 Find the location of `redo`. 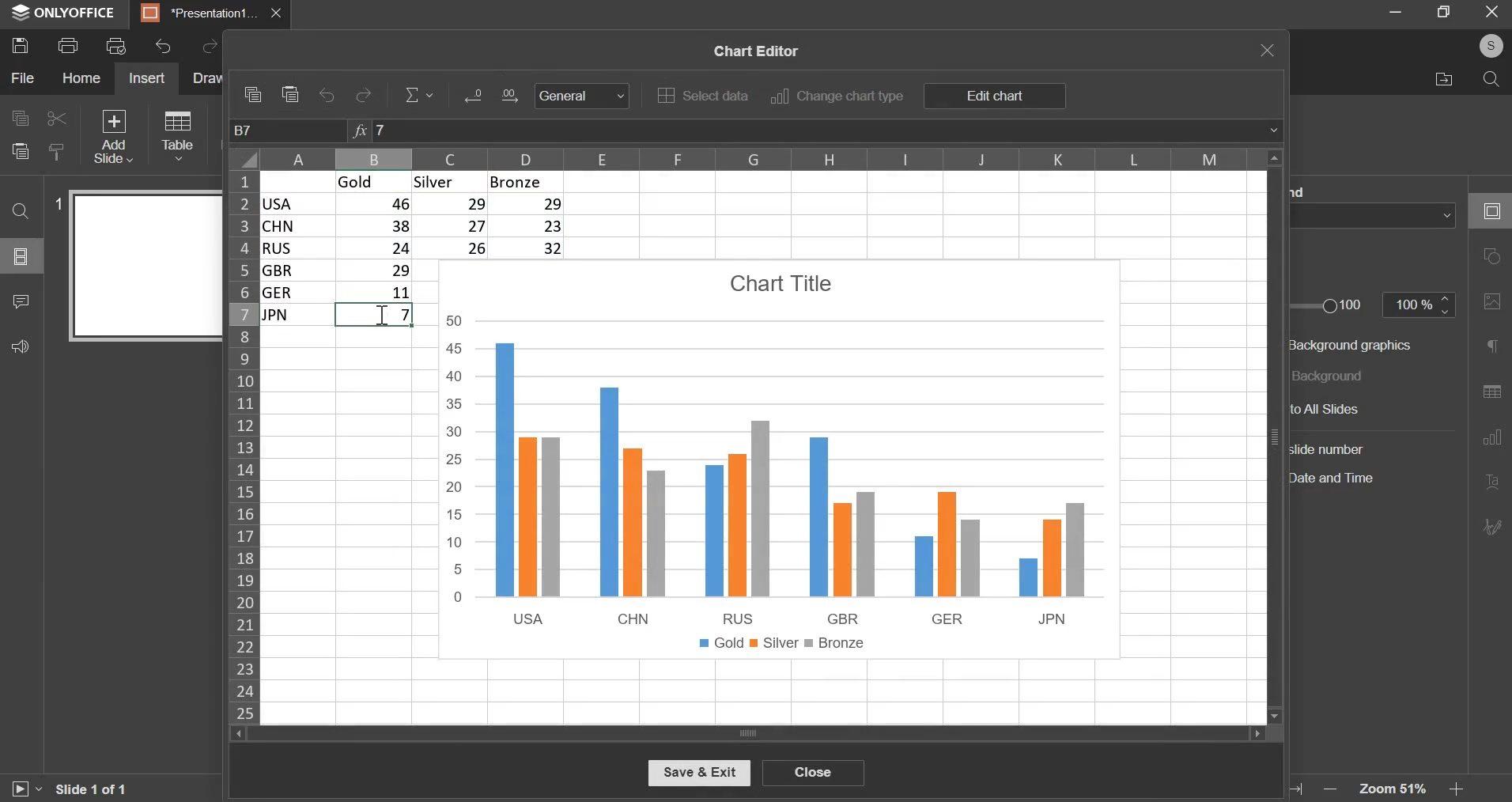

redo is located at coordinates (206, 47).